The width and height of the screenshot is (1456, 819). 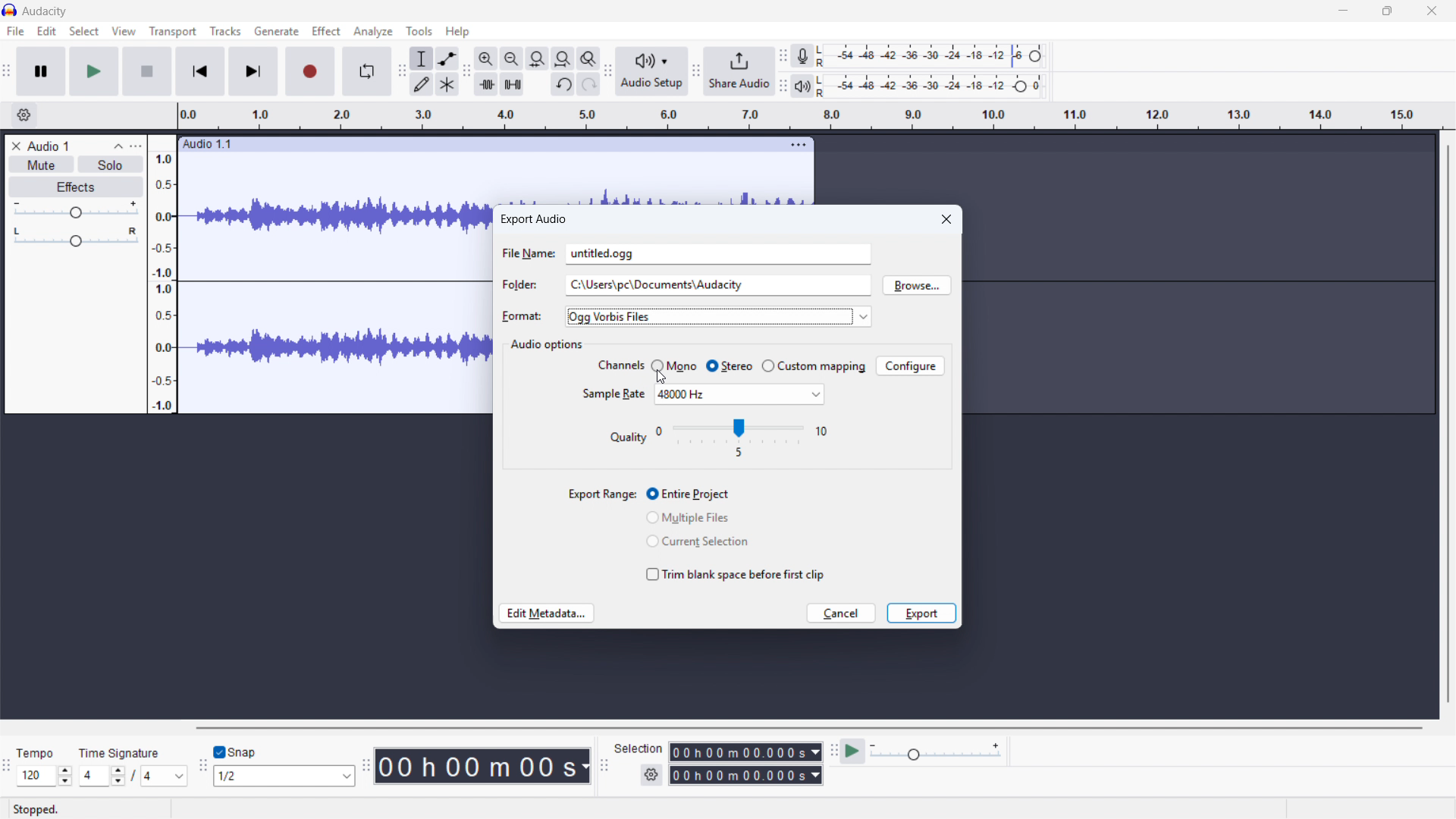 What do you see at coordinates (936, 55) in the screenshot?
I see `Recording level ` at bounding box center [936, 55].